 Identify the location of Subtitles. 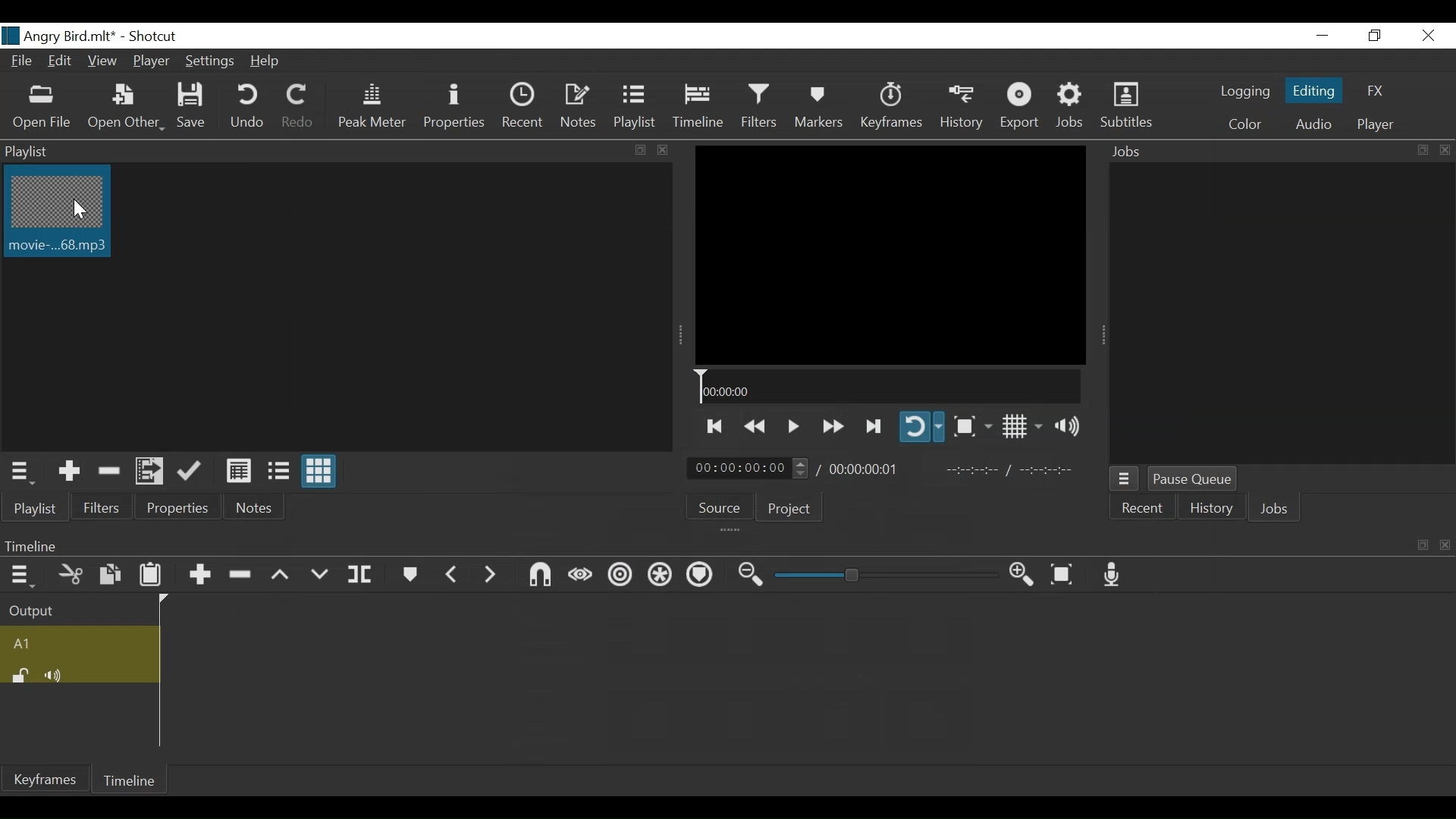
(1126, 106).